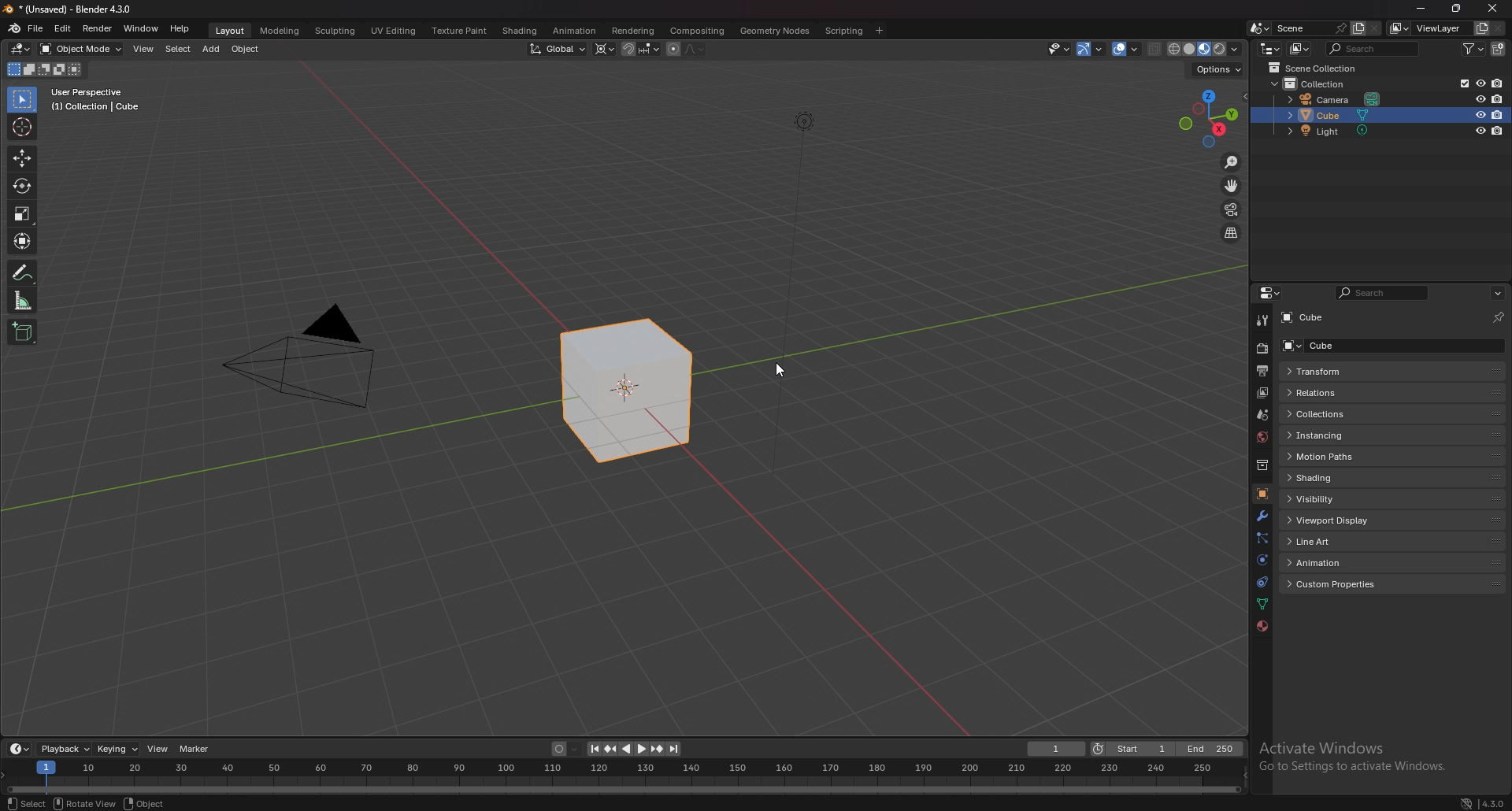  What do you see at coordinates (1310, 83) in the screenshot?
I see `collection` at bounding box center [1310, 83].